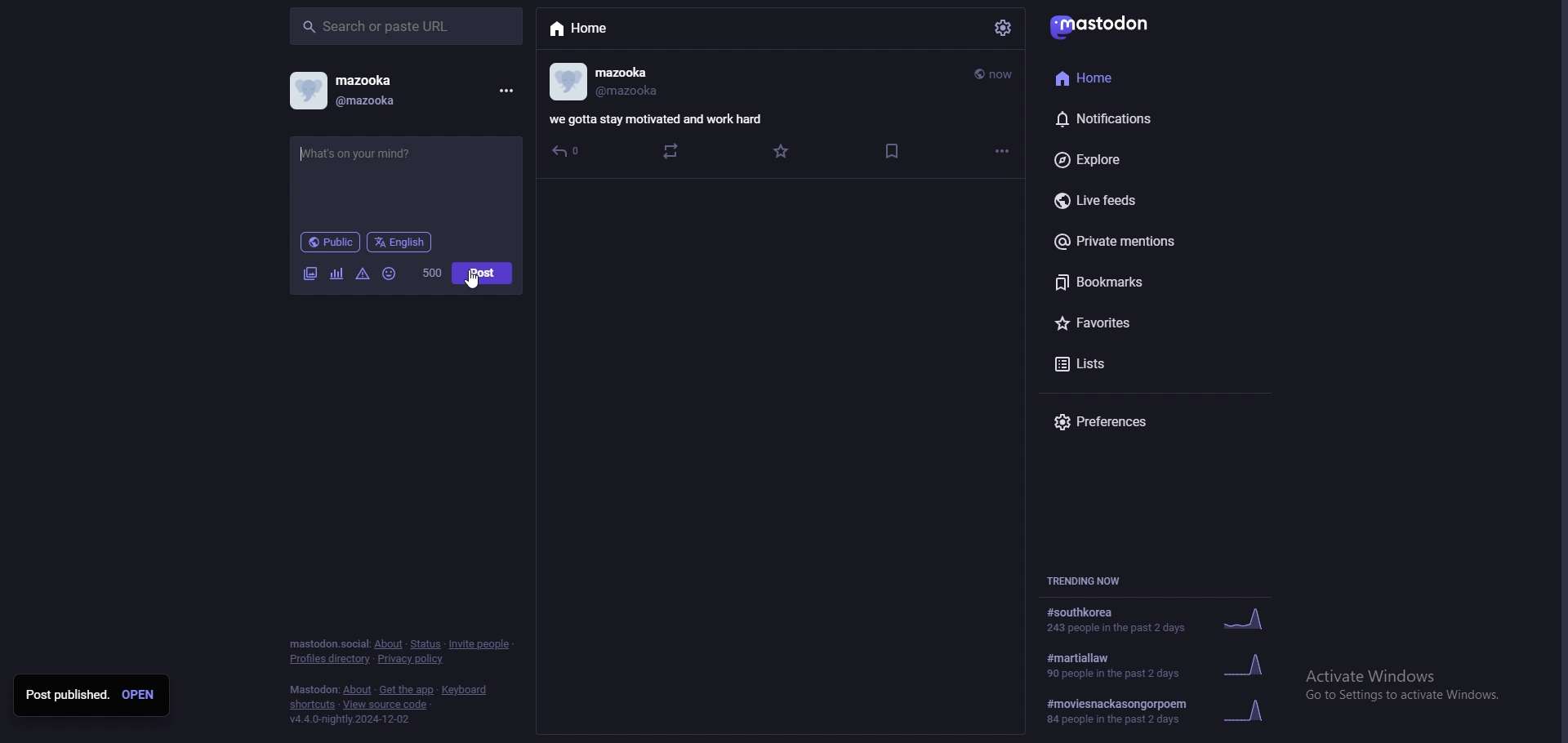 This screenshot has width=1568, height=743. I want to click on explore, so click(1125, 159).